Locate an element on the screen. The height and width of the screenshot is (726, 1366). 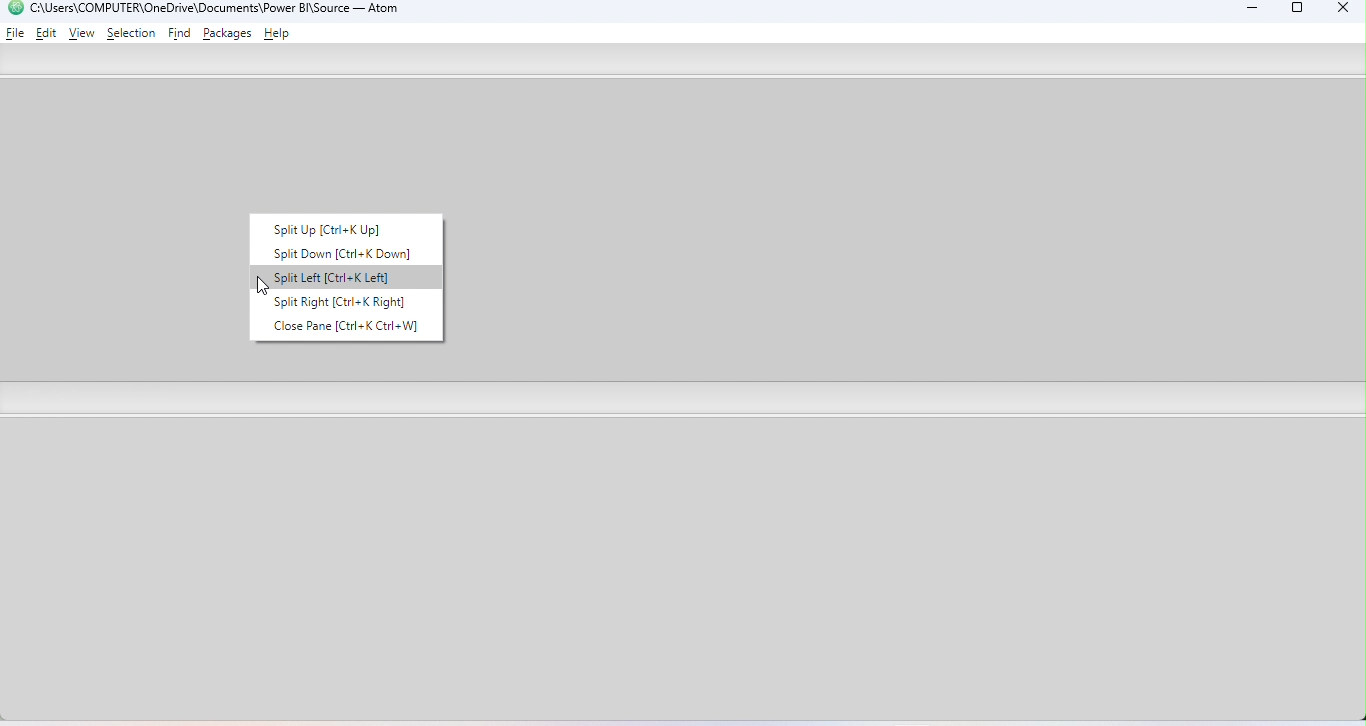
Help is located at coordinates (280, 35).